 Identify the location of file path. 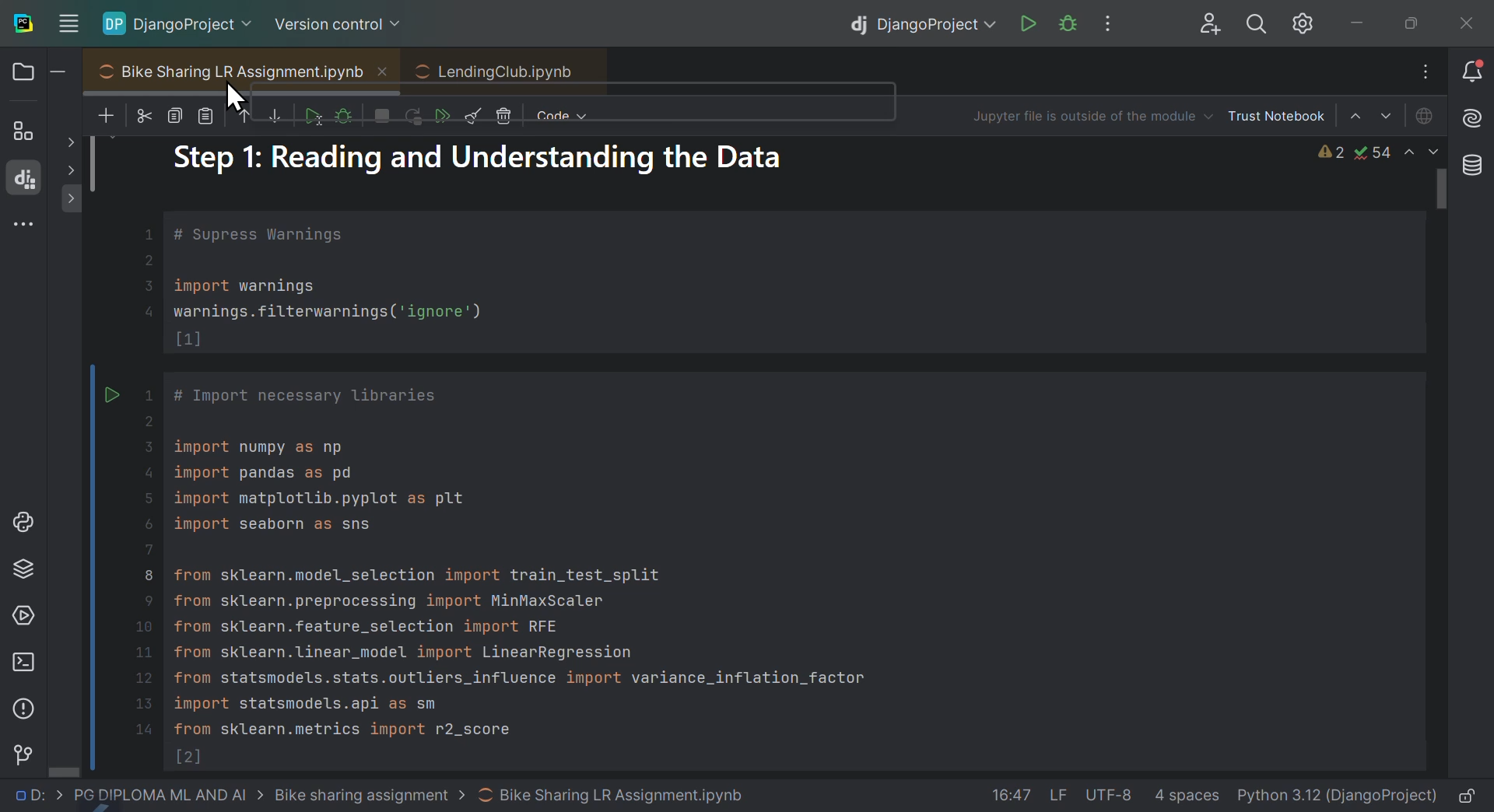
(375, 796).